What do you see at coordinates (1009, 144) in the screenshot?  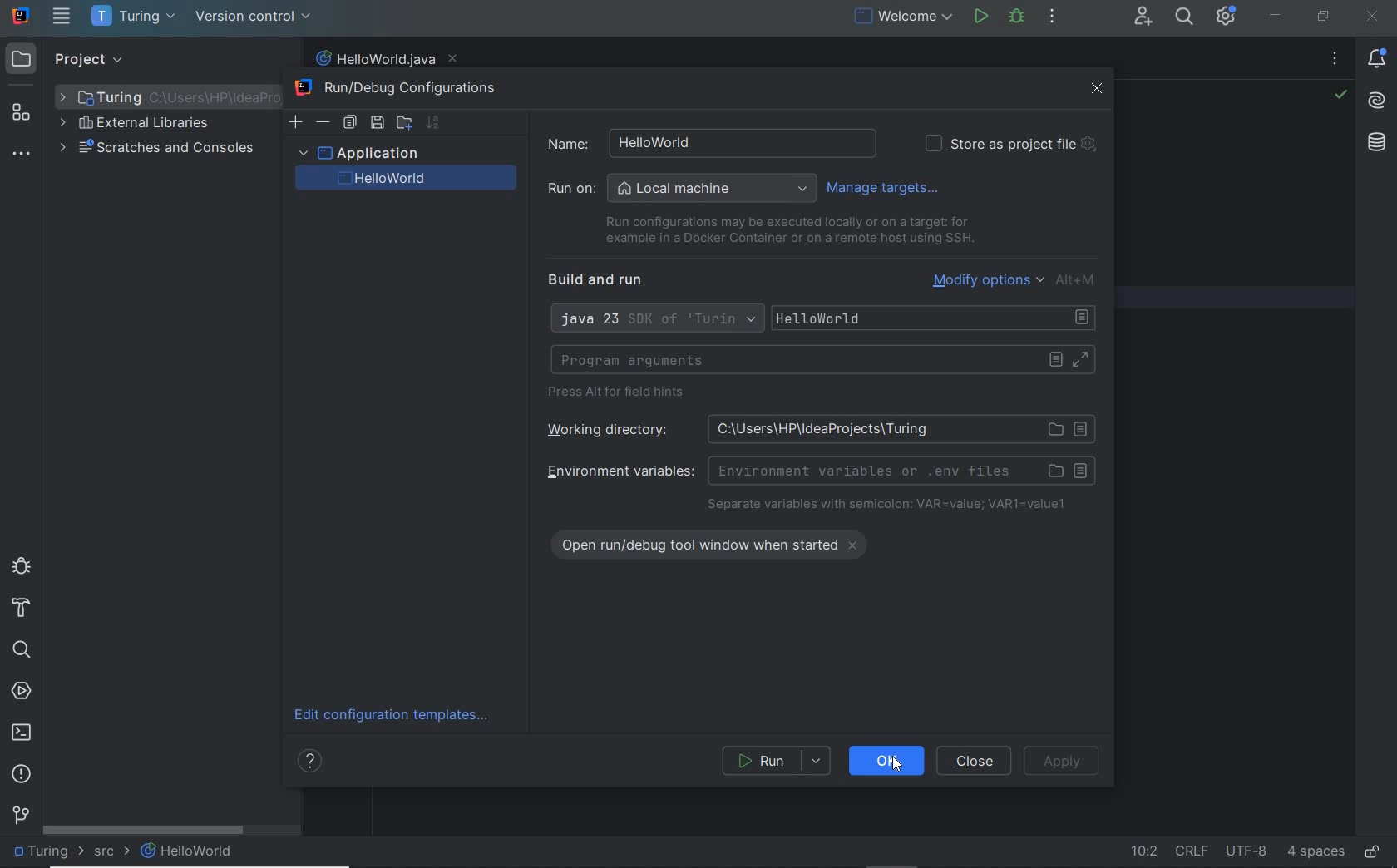 I see `store as project file` at bounding box center [1009, 144].